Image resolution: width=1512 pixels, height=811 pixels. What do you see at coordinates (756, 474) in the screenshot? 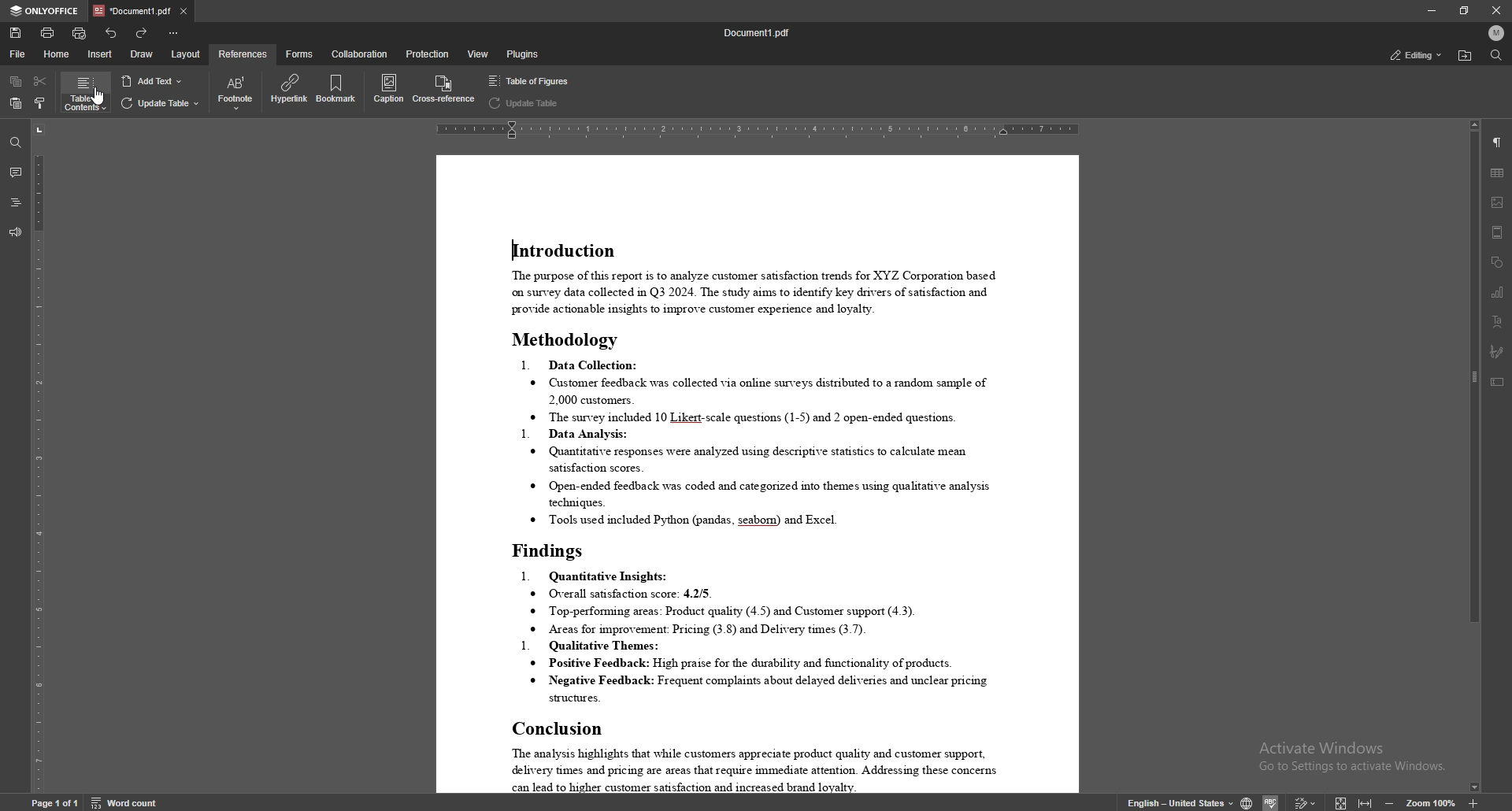
I see `document` at bounding box center [756, 474].